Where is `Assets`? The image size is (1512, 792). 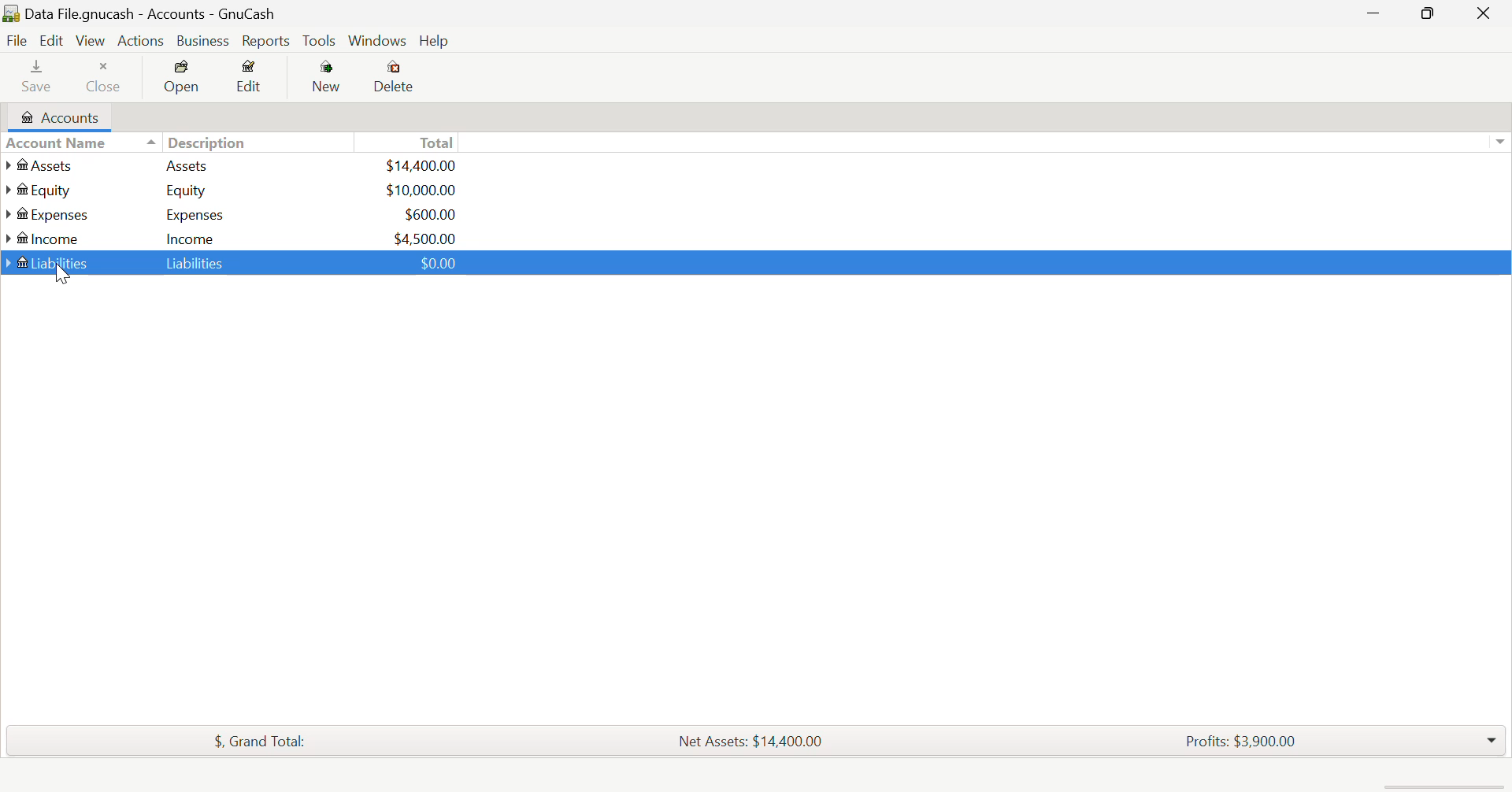
Assets is located at coordinates (187, 165).